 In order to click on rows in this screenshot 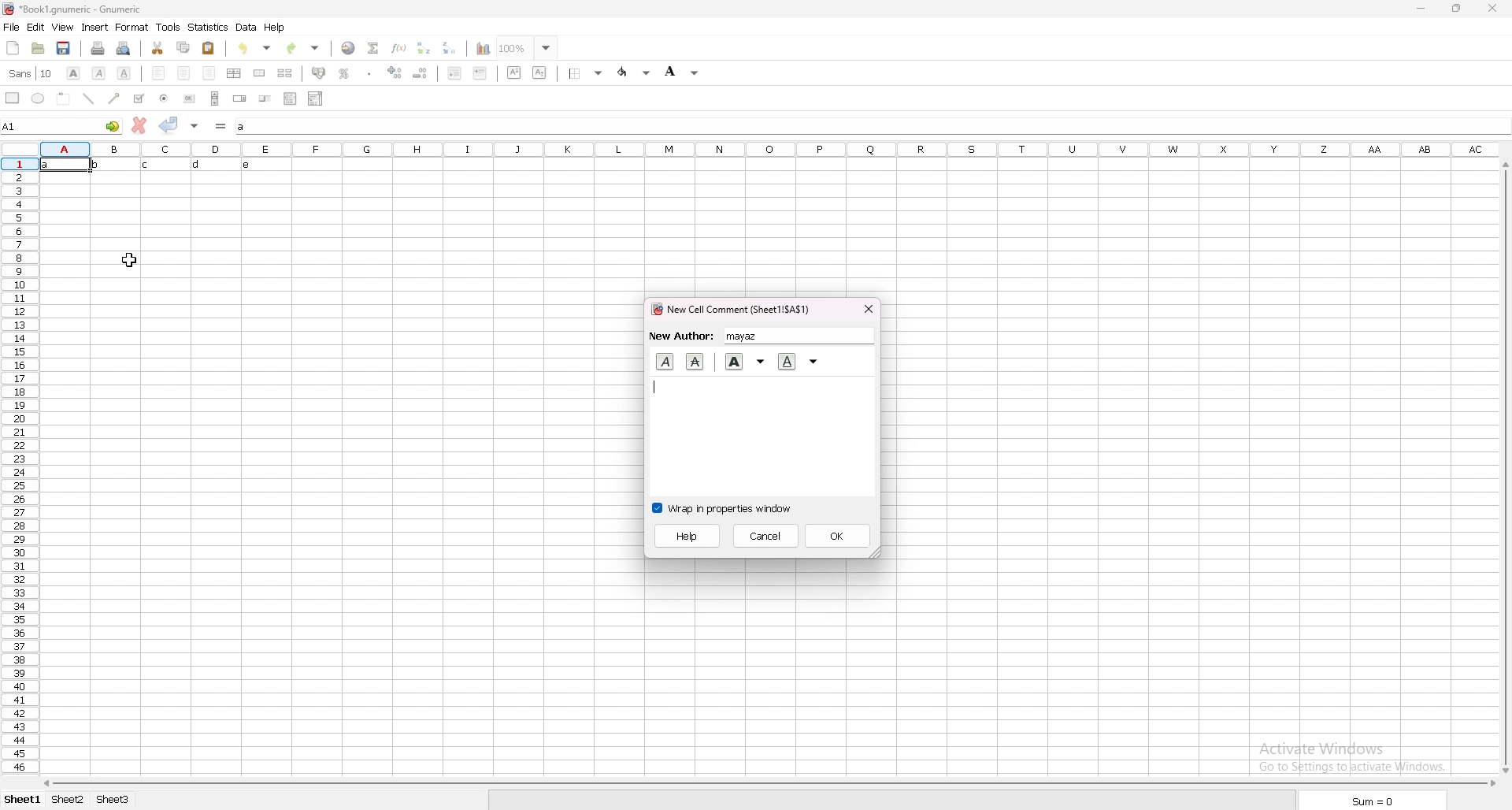, I will do `click(20, 466)`.